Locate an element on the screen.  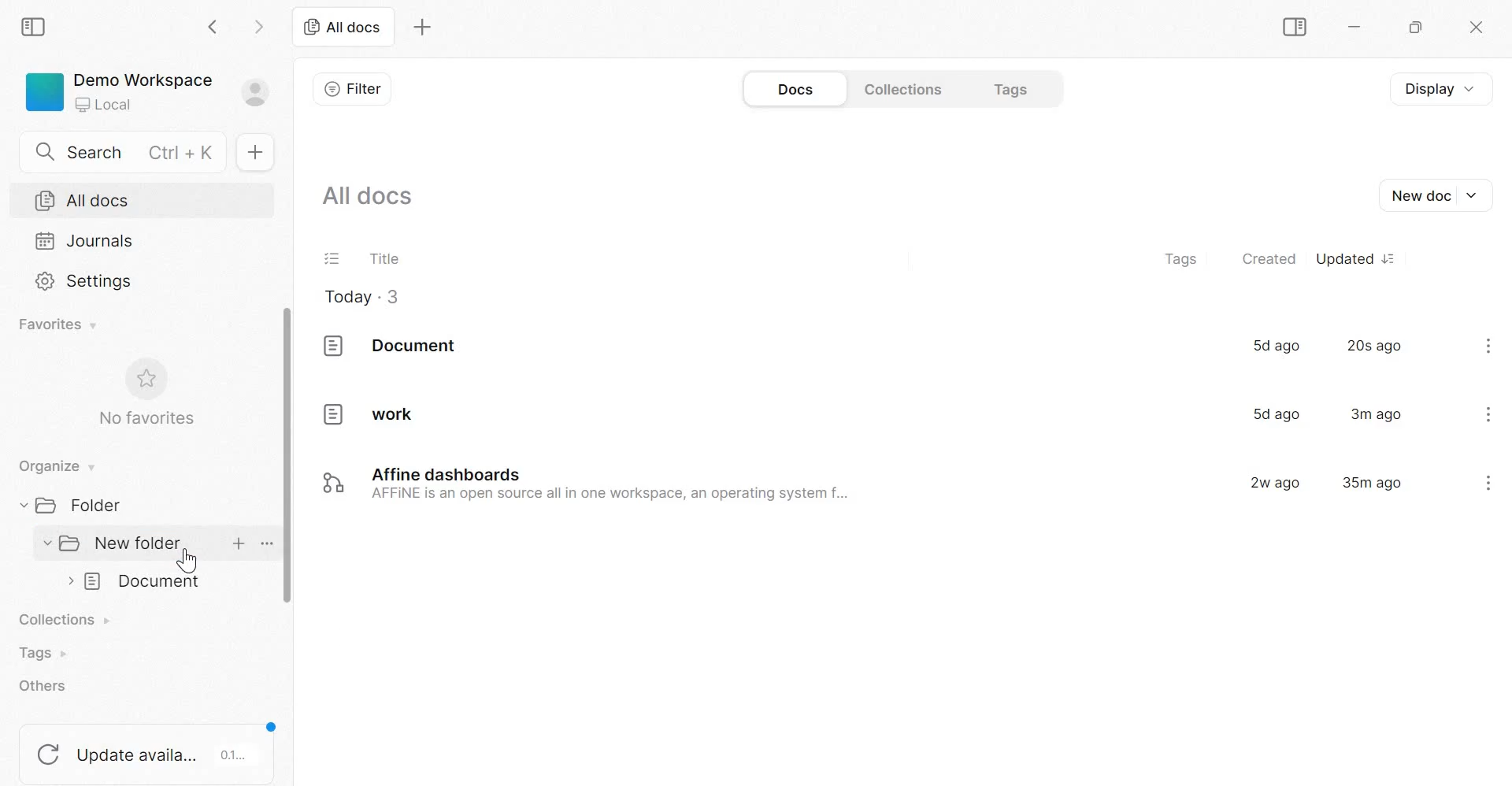
kebab menu is located at coordinates (1489, 346).